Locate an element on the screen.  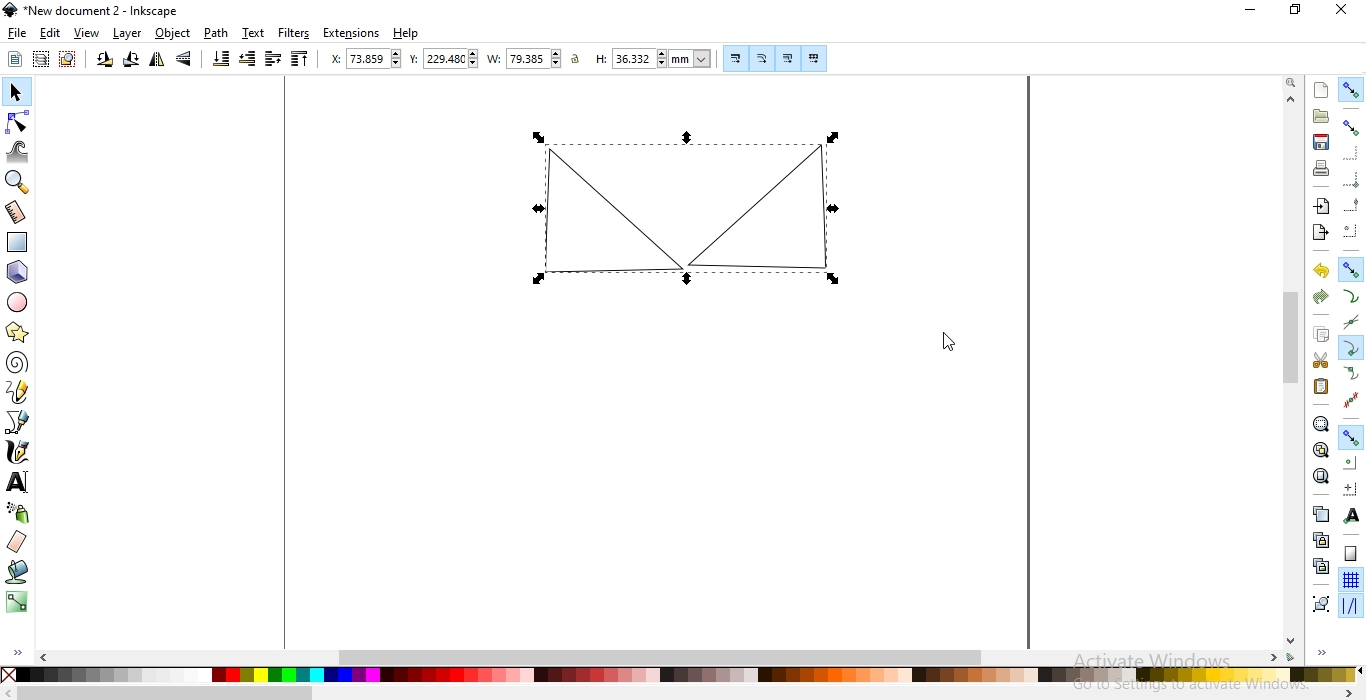
scrollbar is located at coordinates (1292, 371).